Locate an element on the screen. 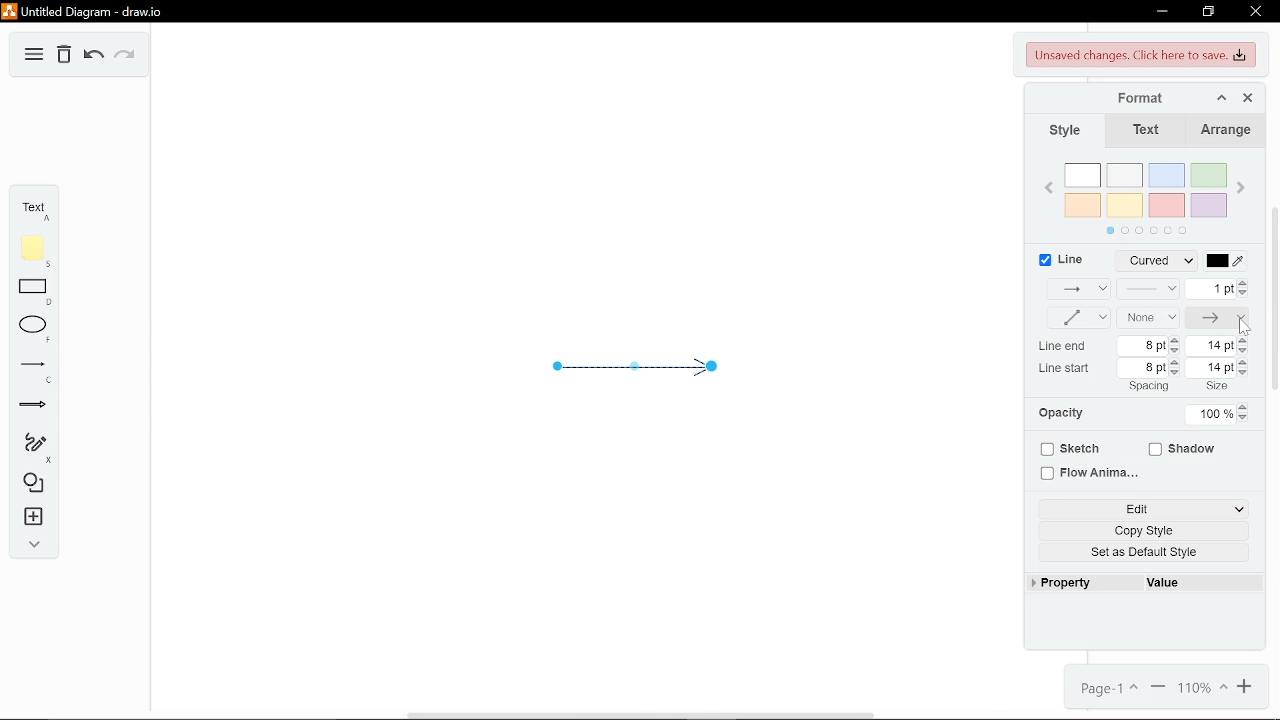 The image size is (1280, 720). Diagram is located at coordinates (34, 55).